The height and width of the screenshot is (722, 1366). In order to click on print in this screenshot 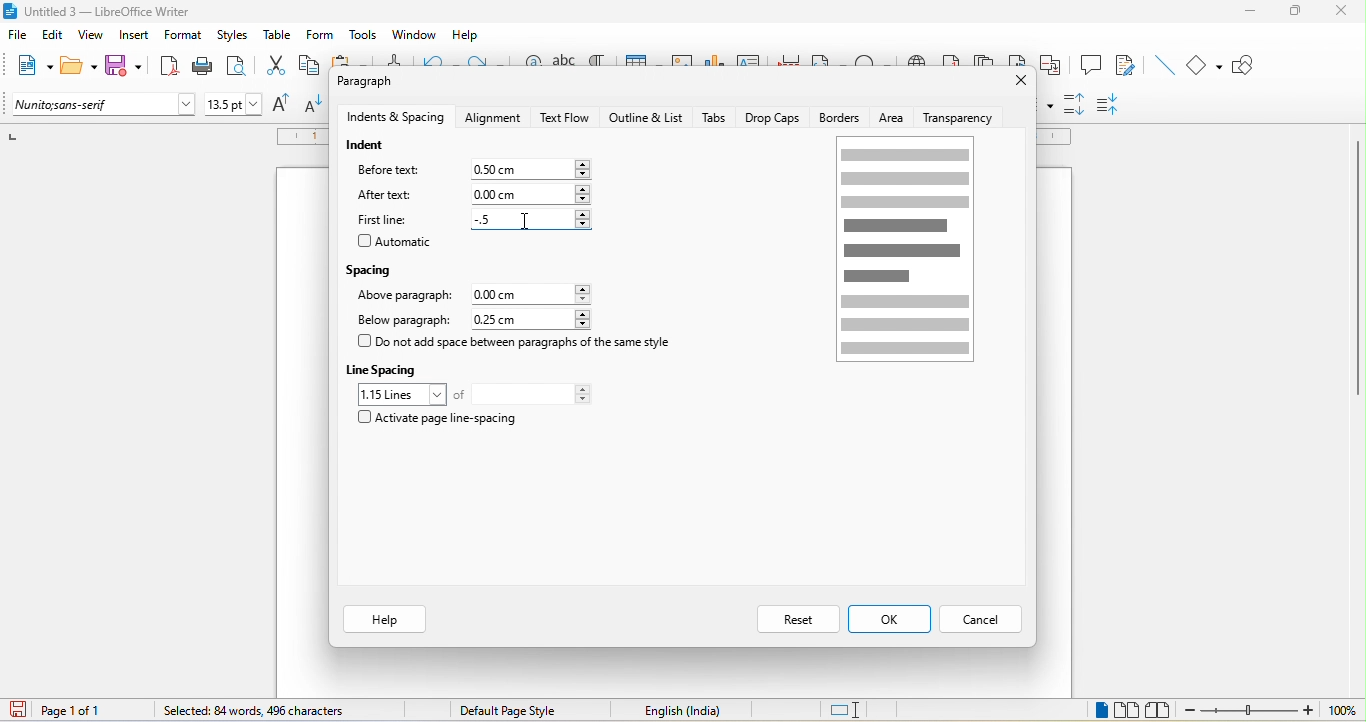, I will do `click(203, 67)`.